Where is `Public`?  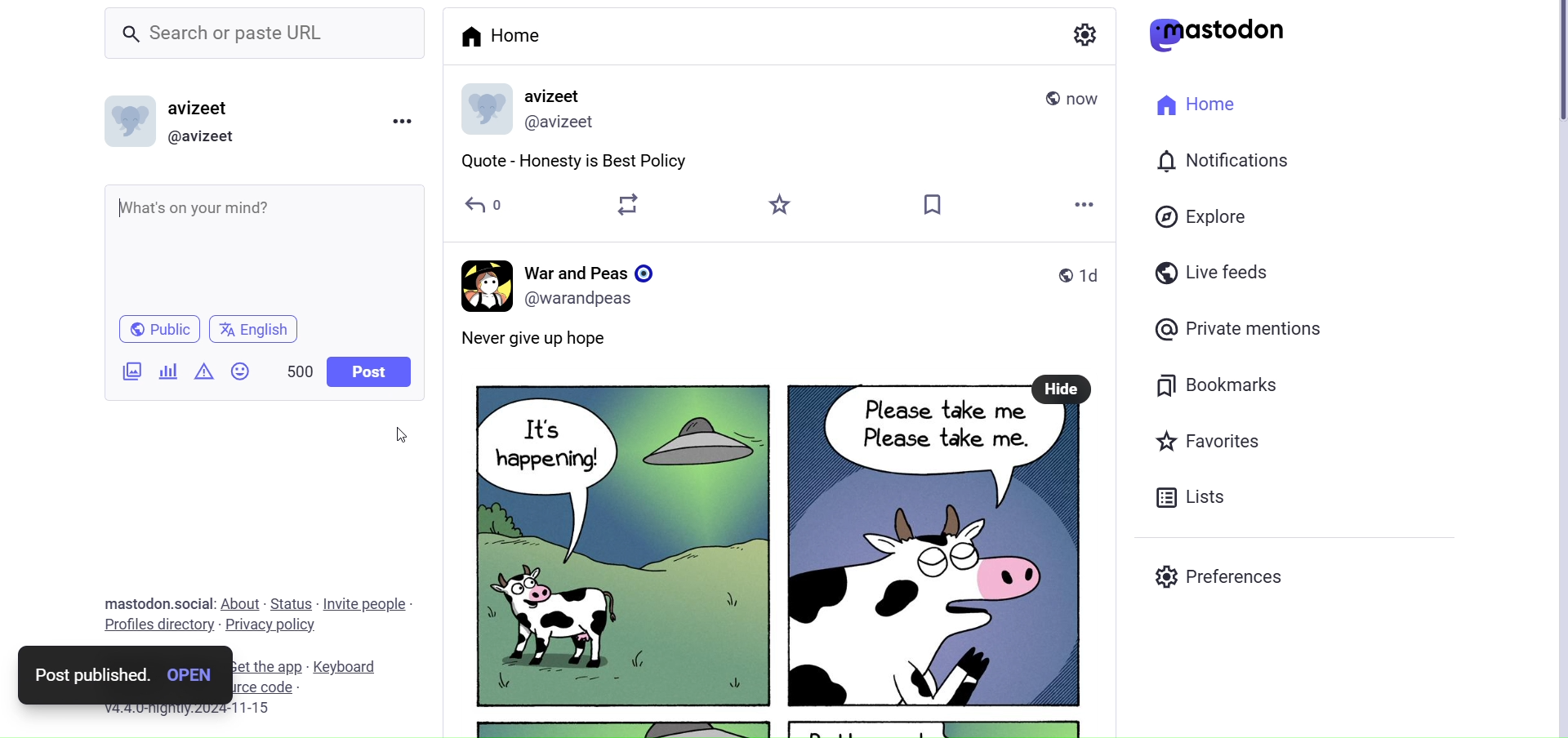 Public is located at coordinates (155, 330).